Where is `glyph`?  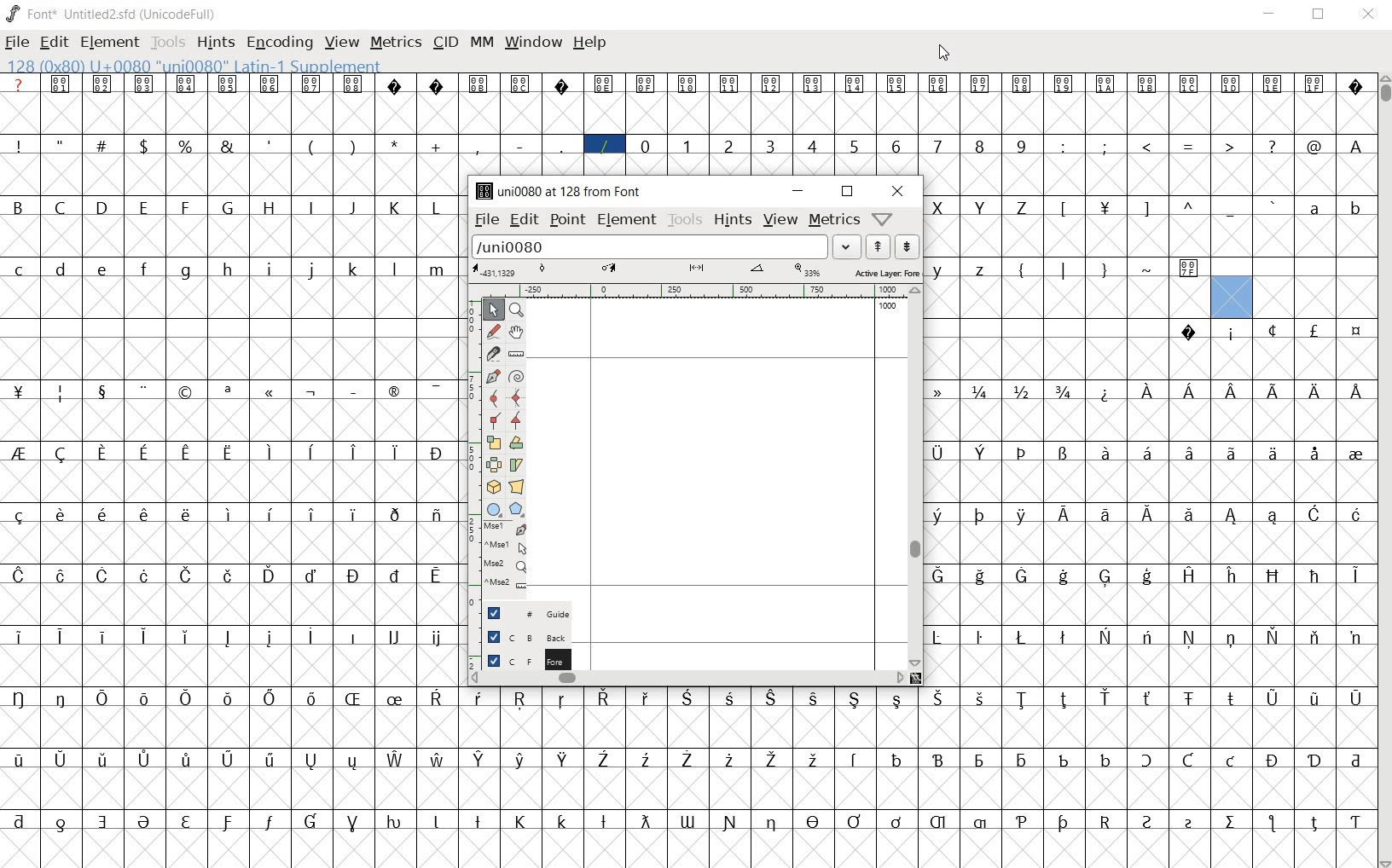 glyph is located at coordinates (1190, 575).